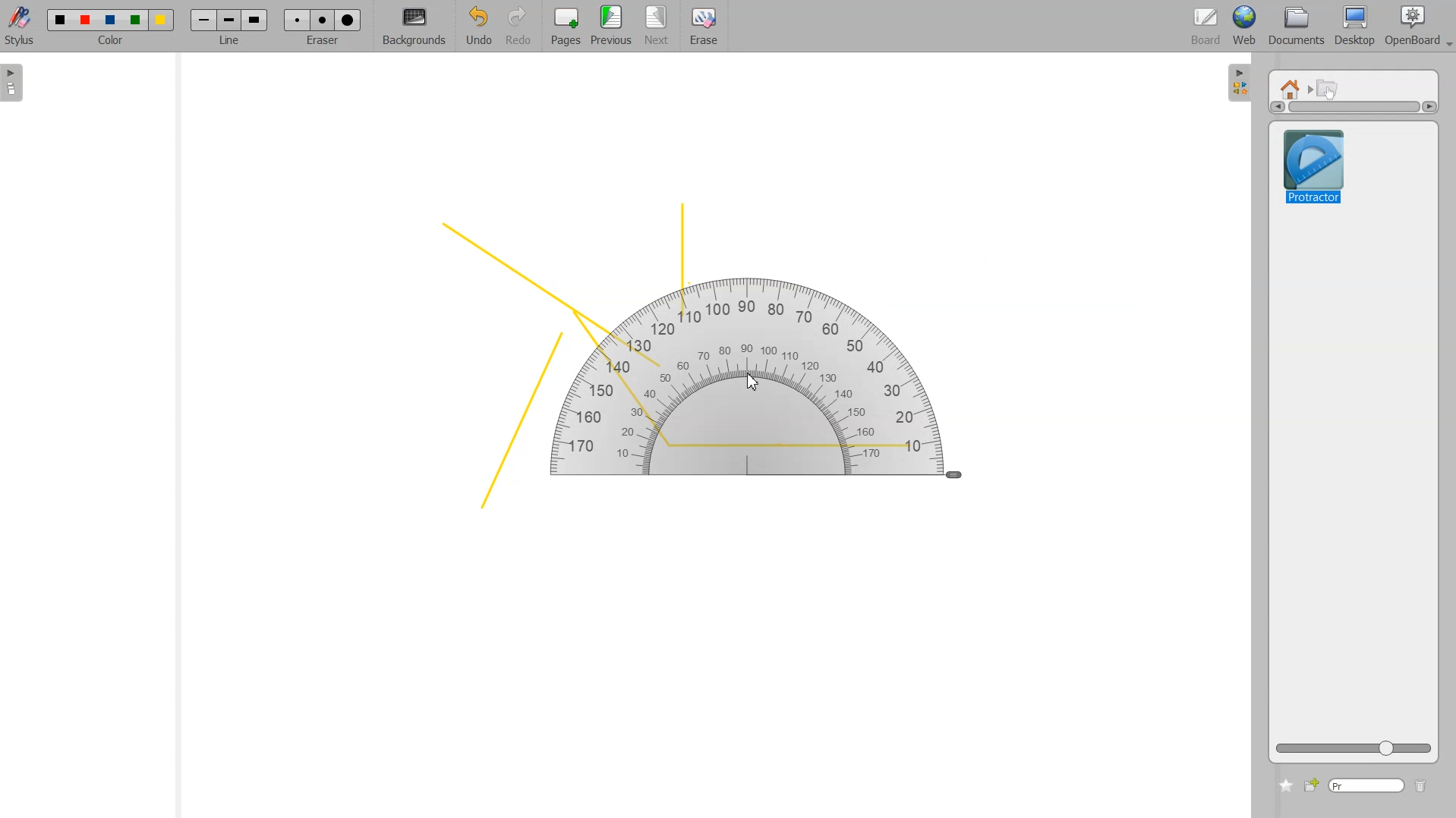 Image resolution: width=1456 pixels, height=818 pixels. Describe the element at coordinates (1313, 164) in the screenshot. I see `Protractor` at that location.